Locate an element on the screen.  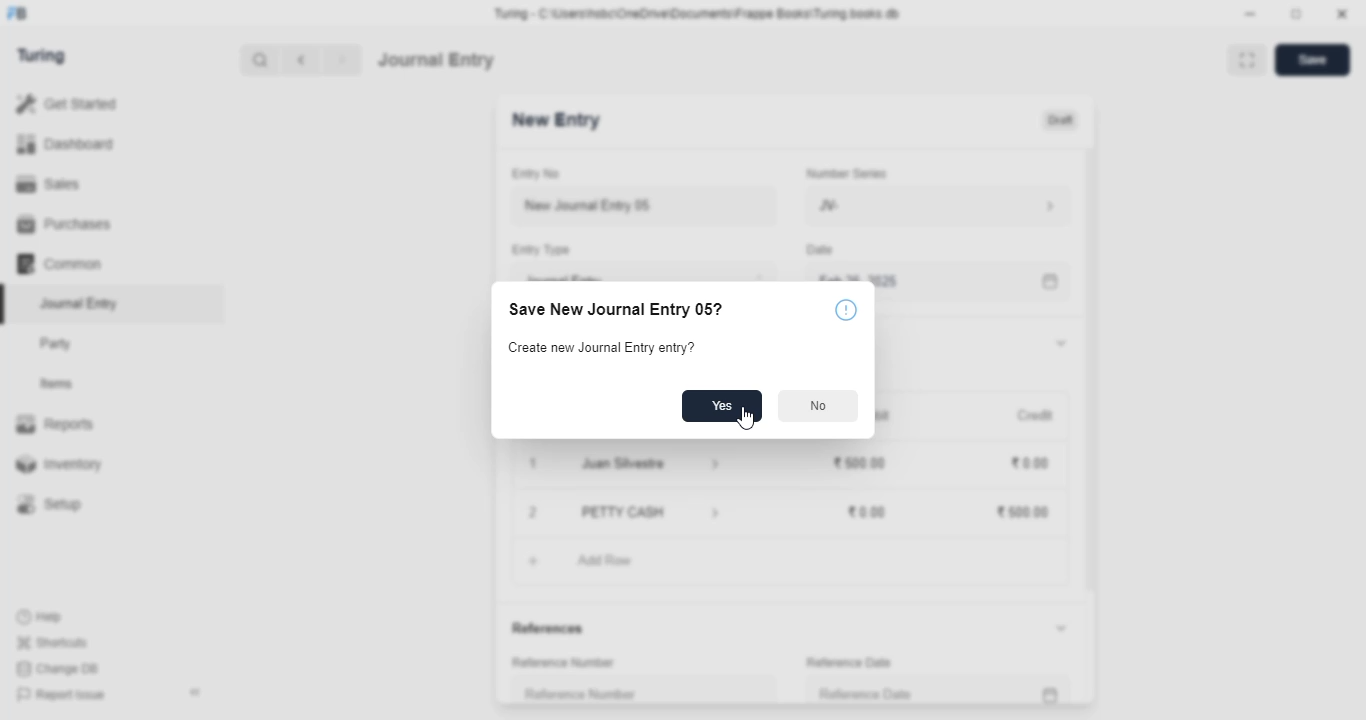
get started is located at coordinates (68, 104).